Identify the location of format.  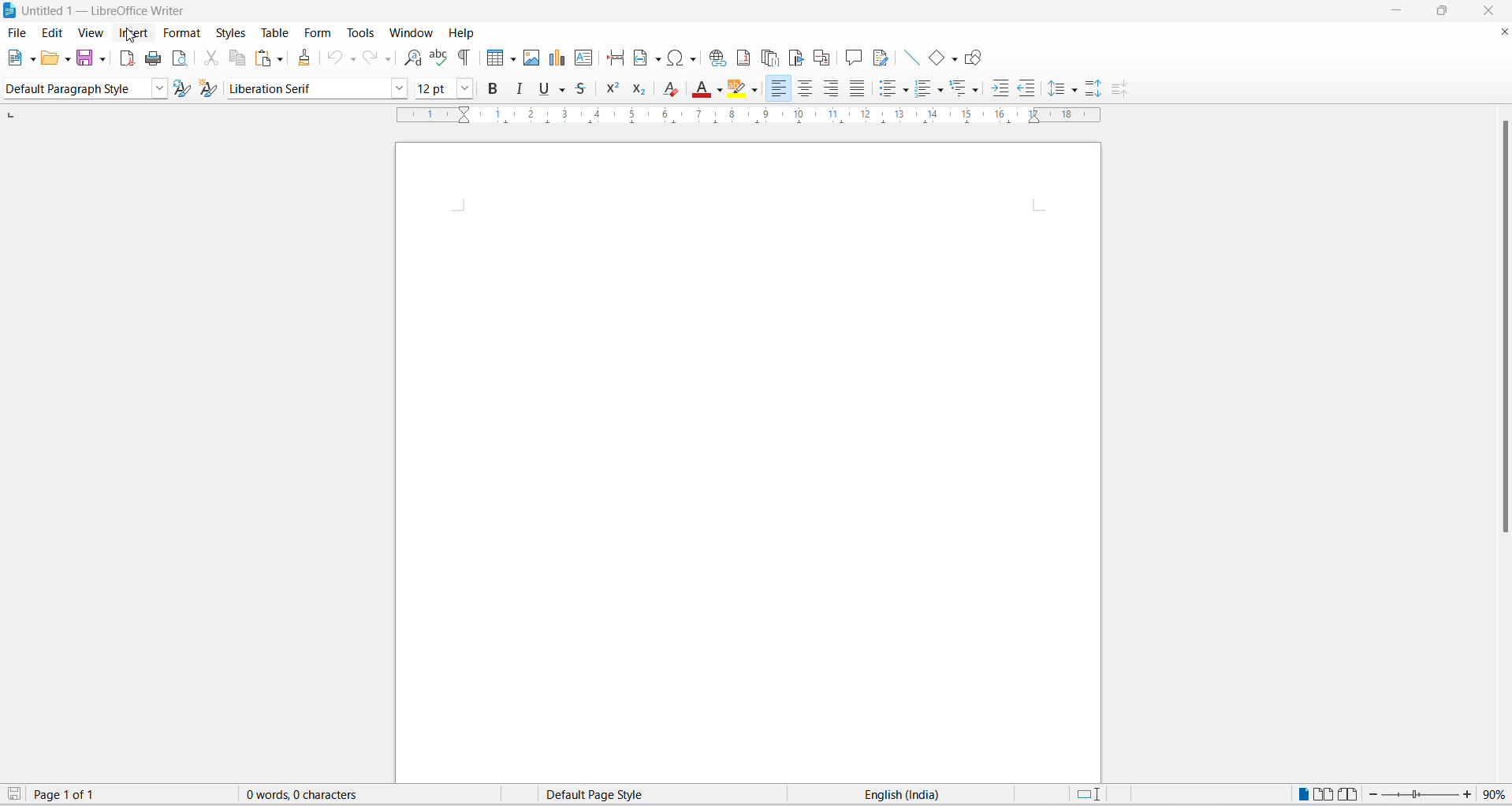
(183, 32).